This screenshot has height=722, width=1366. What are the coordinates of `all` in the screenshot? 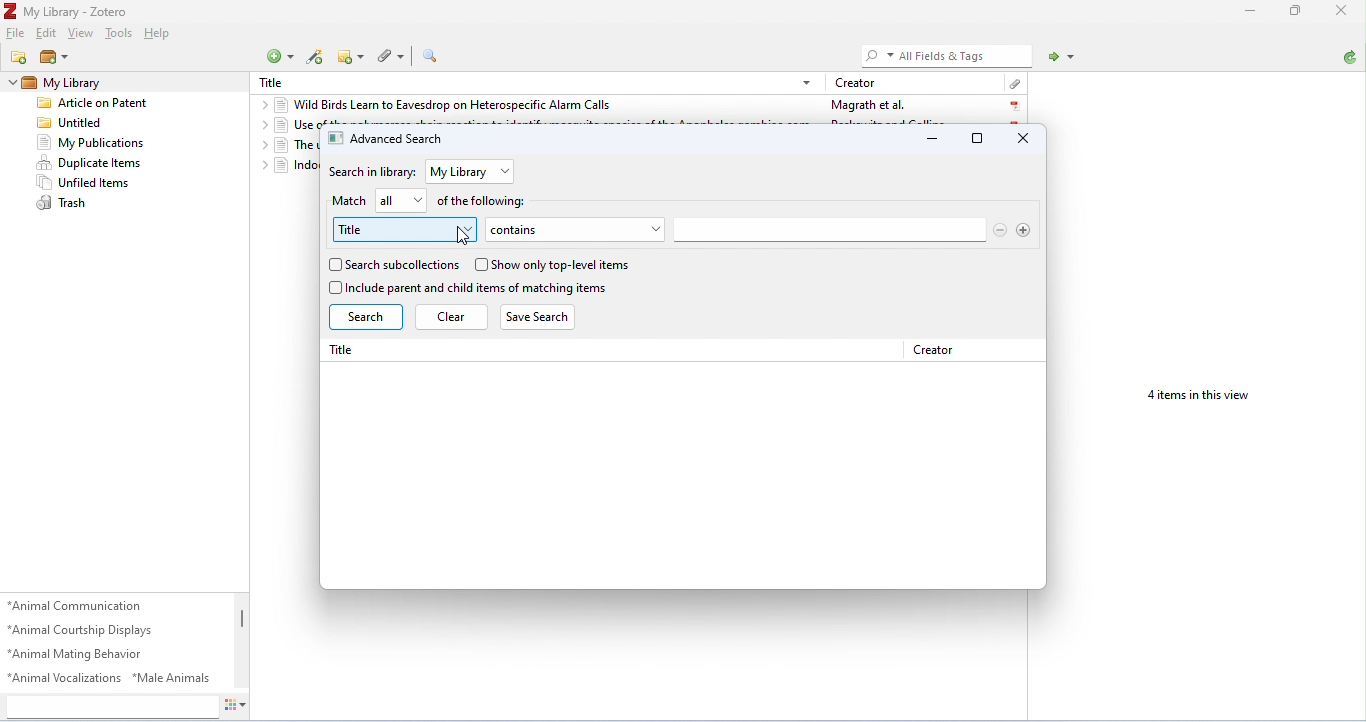 It's located at (390, 200).